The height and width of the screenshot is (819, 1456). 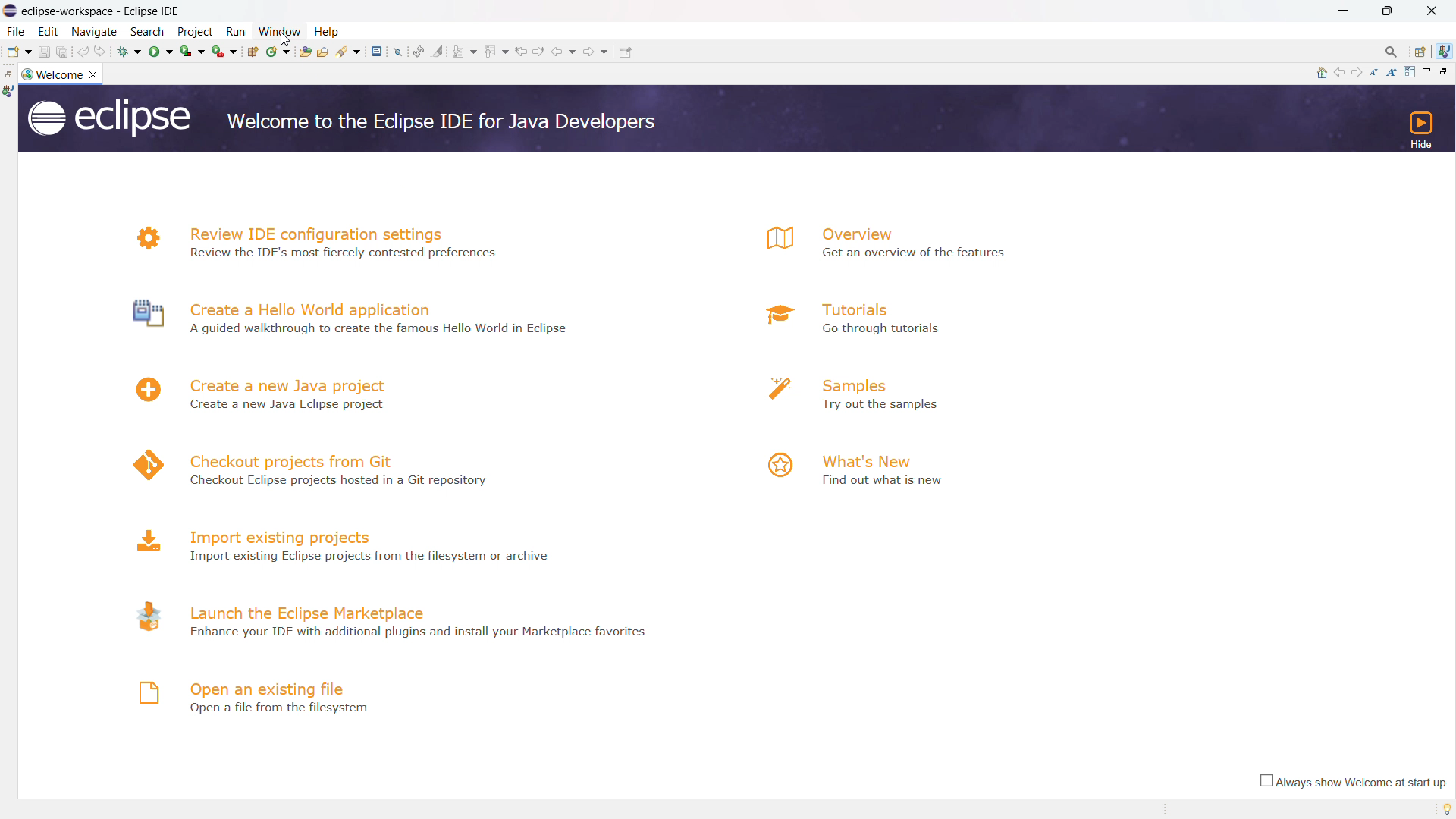 I want to click on java, so click(x=1446, y=51).